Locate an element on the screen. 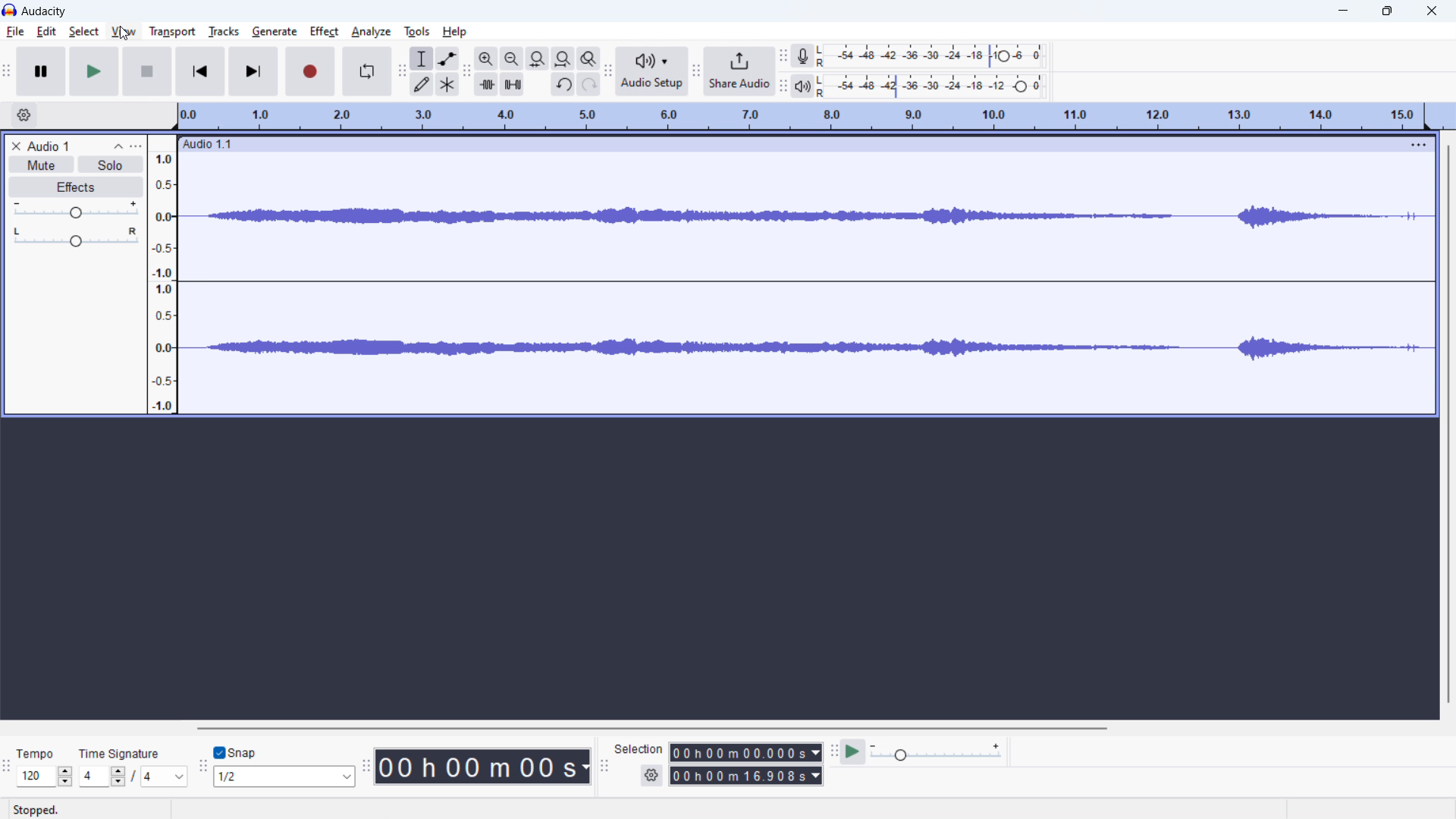 This screenshot has width=1456, height=819. horizontal scrollbar is located at coordinates (655, 729).